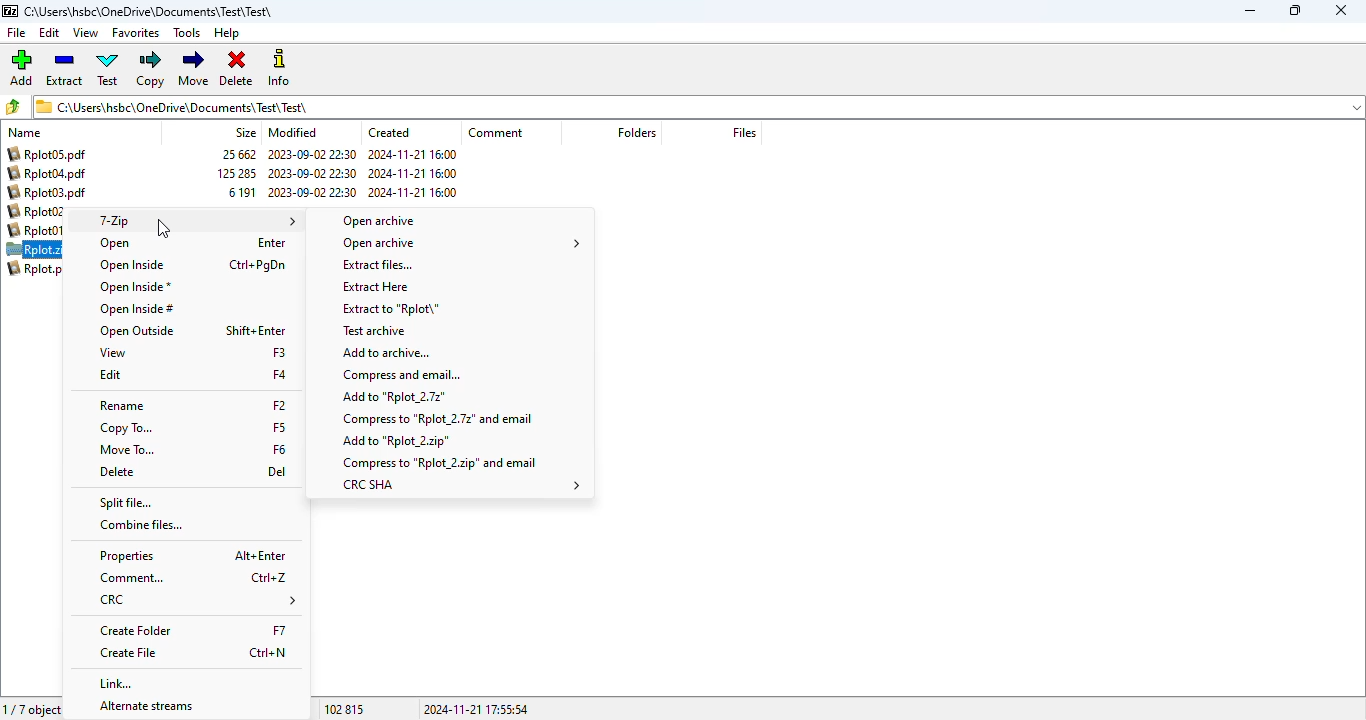 The image size is (1366, 720). I want to click on 1/7 object(s) selected, so click(34, 709).